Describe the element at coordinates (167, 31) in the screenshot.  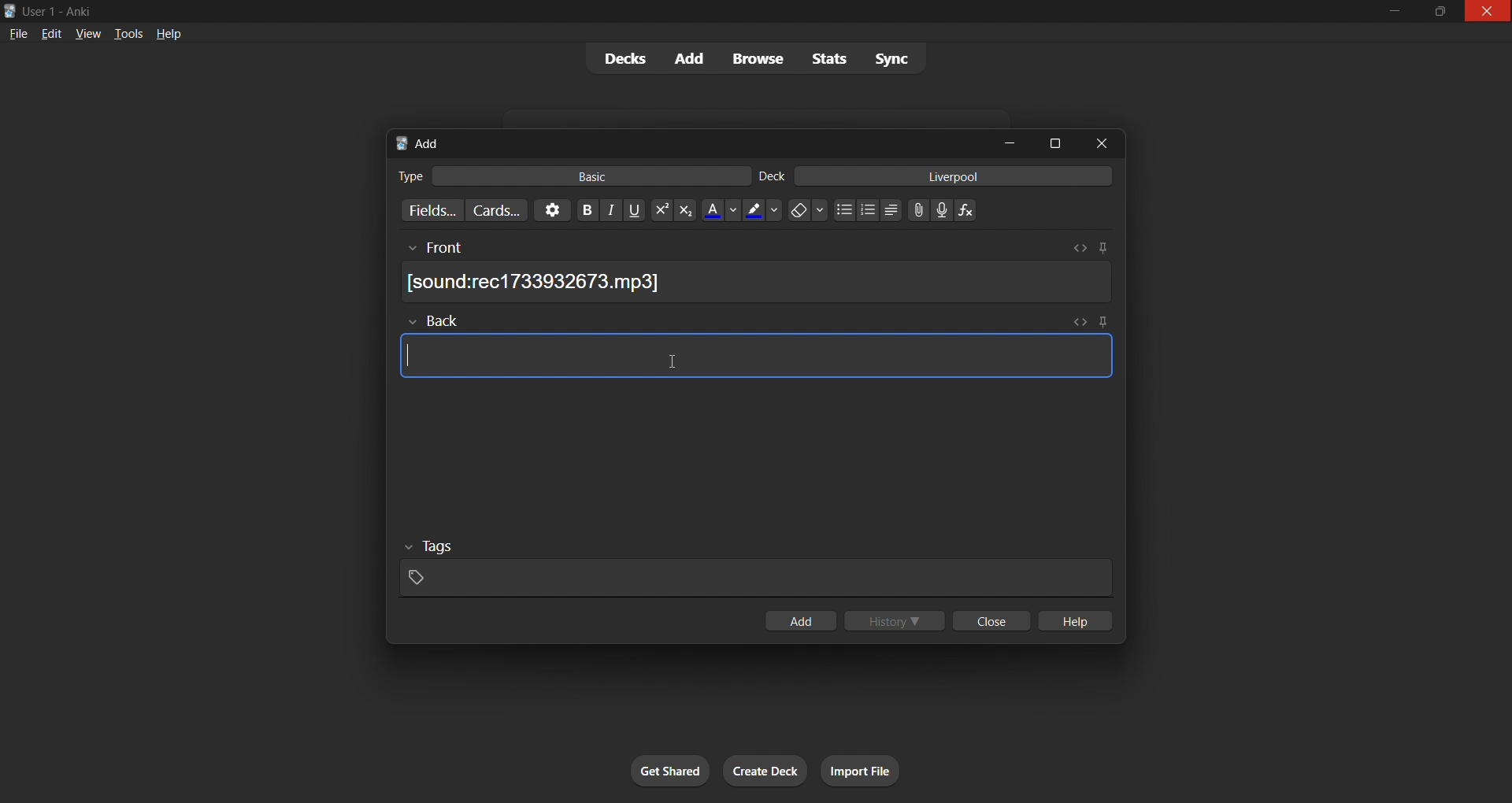
I see `help` at that location.